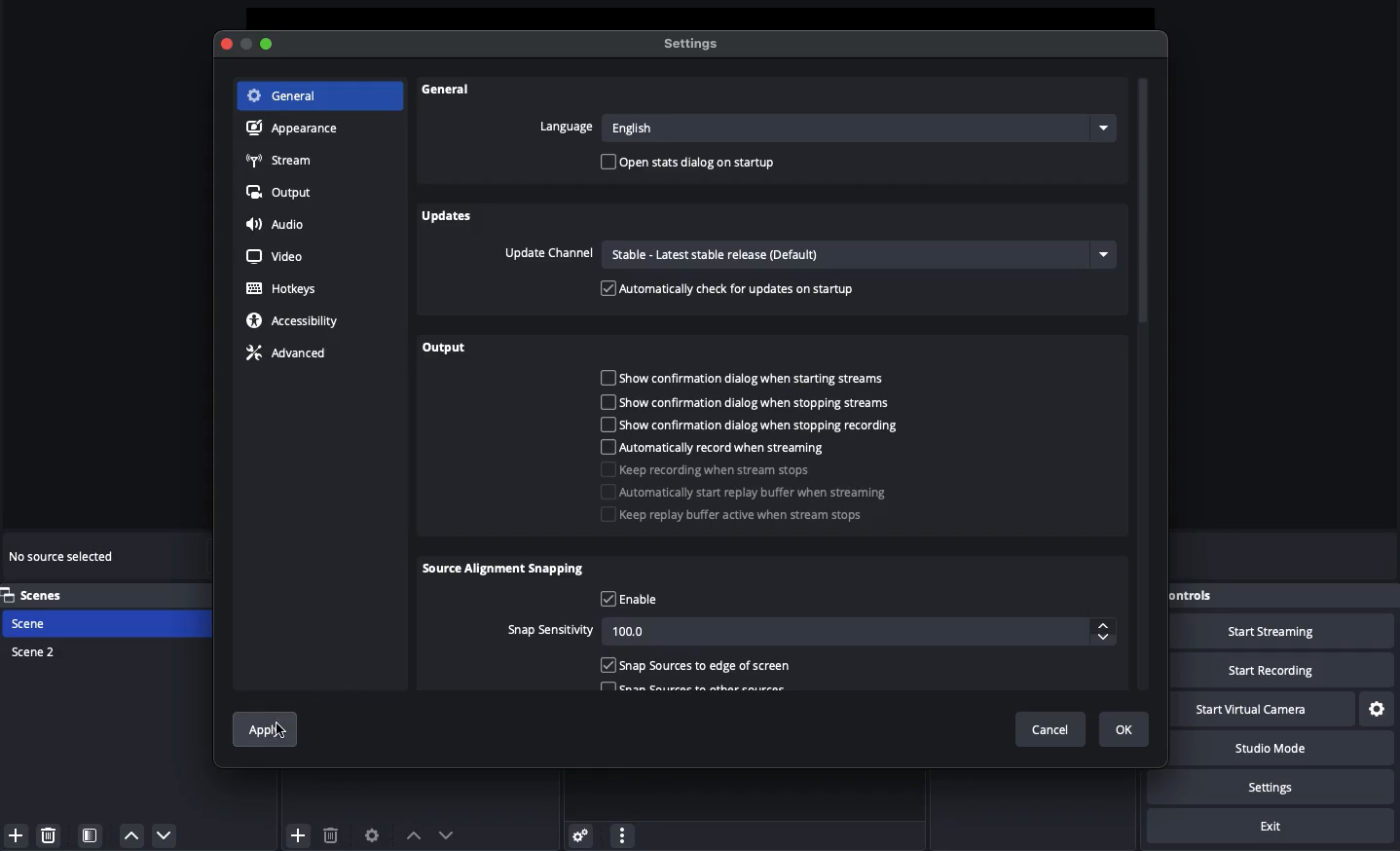  Describe the element at coordinates (164, 834) in the screenshot. I see `Move down` at that location.